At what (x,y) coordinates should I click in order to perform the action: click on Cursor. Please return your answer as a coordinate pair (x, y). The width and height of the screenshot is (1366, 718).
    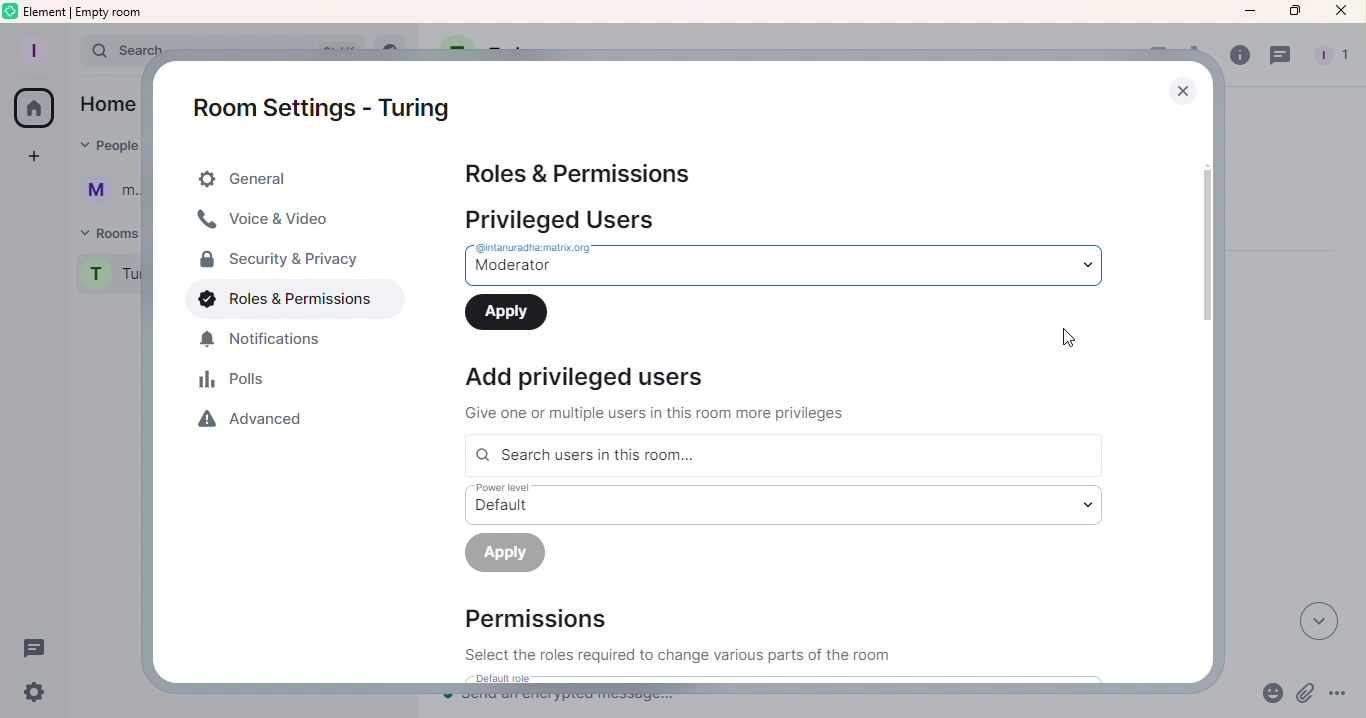
    Looking at the image, I should click on (1075, 337).